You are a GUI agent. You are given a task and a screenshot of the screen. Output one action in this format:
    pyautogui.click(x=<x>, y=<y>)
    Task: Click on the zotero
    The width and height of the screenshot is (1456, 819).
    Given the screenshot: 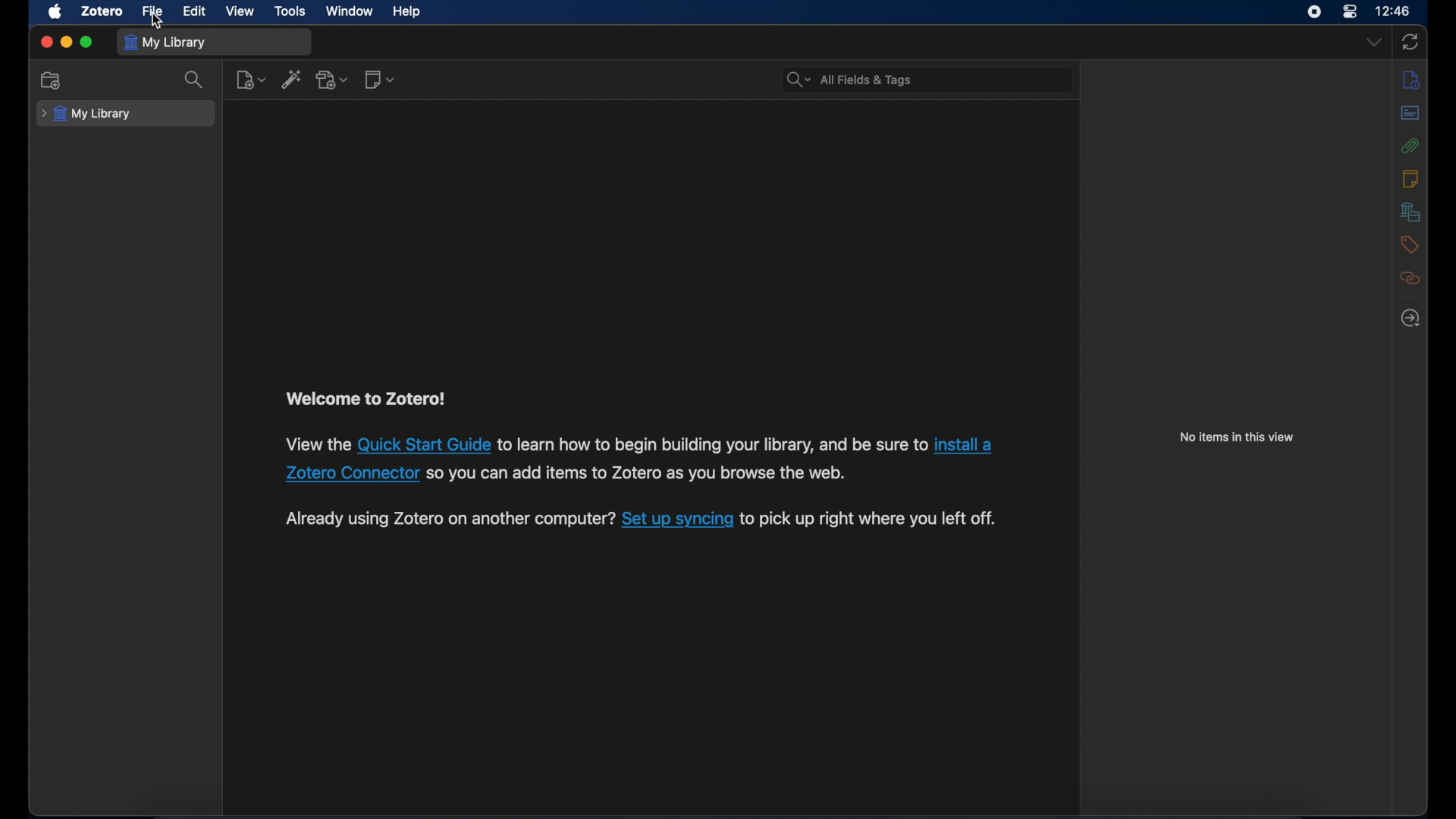 What is the action you would take?
    pyautogui.click(x=103, y=11)
    